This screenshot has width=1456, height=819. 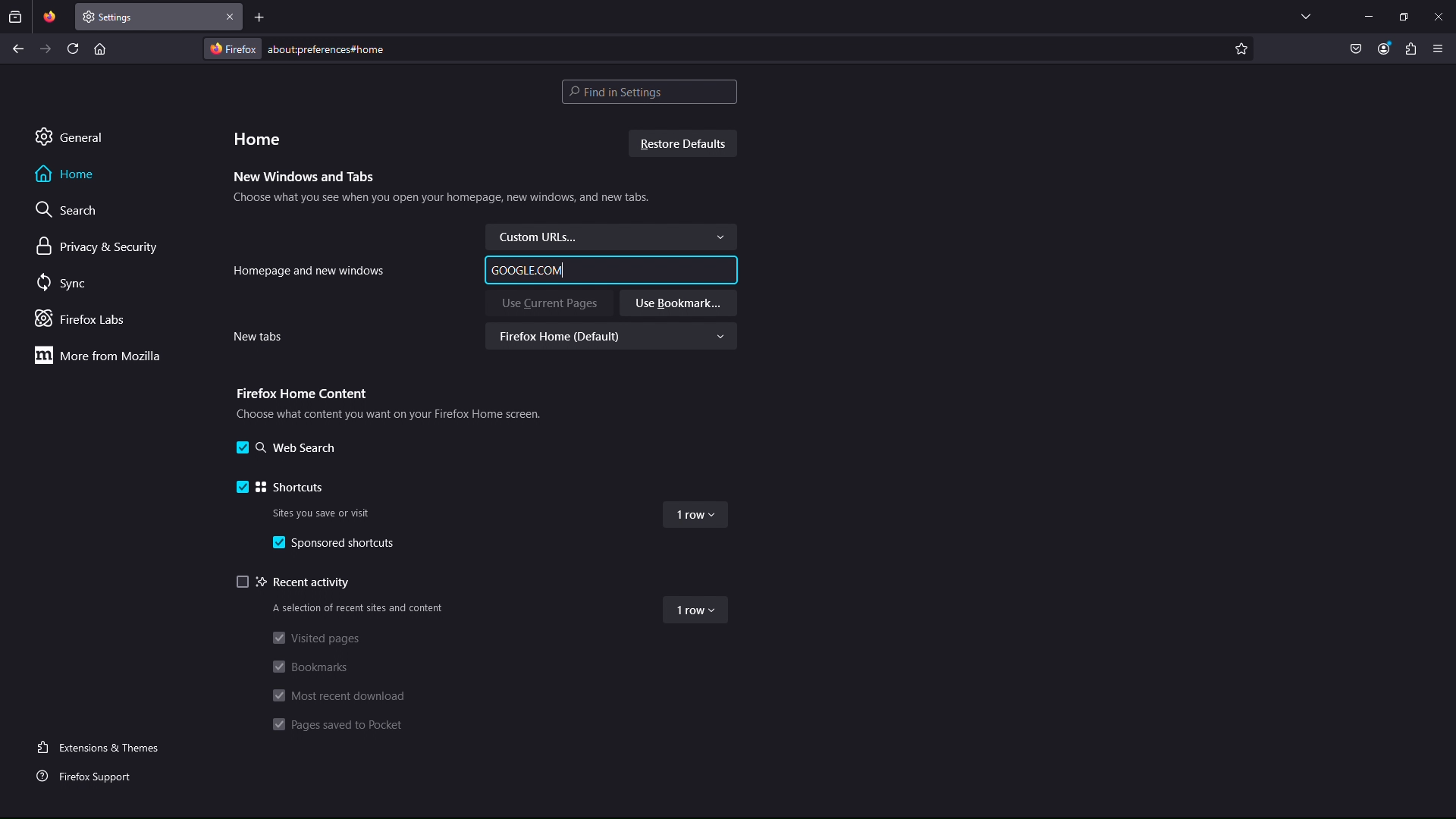 I want to click on Custom URLs..., so click(x=610, y=237).